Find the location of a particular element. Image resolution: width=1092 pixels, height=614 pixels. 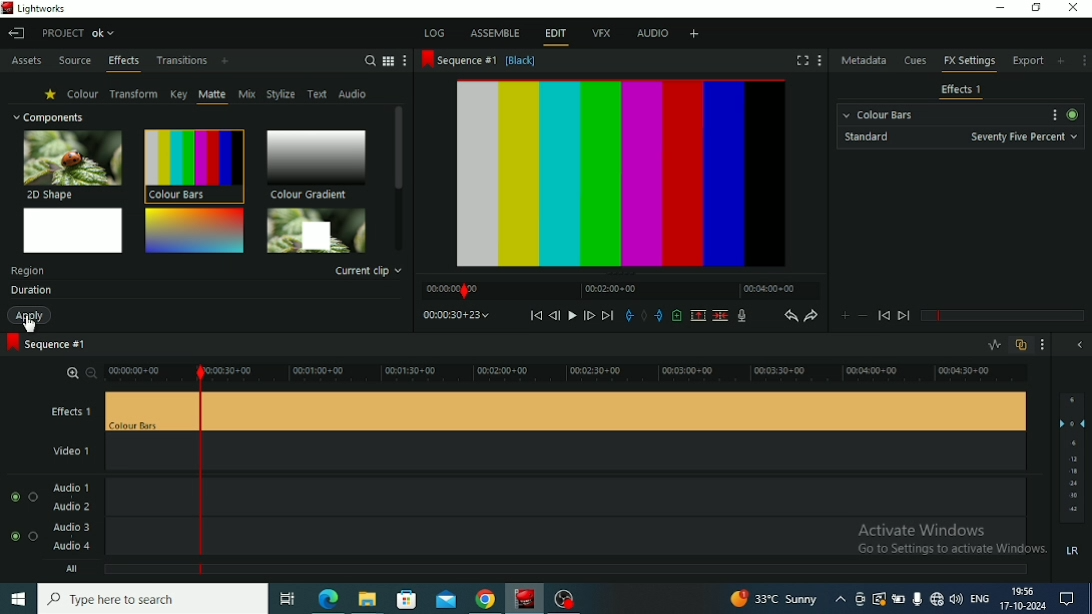

Nudge one frame next is located at coordinates (589, 315).